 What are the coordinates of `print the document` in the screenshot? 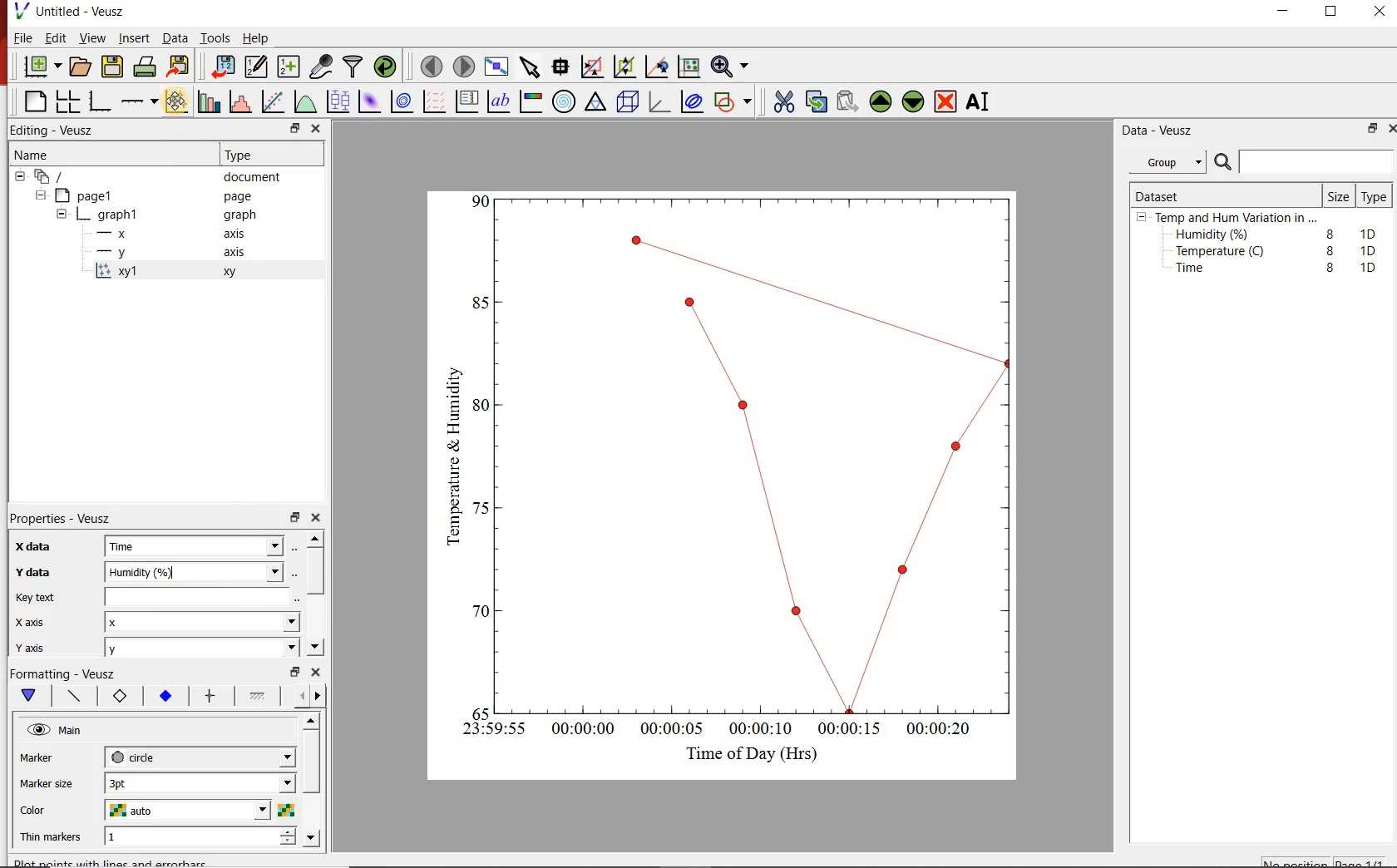 It's located at (146, 69).